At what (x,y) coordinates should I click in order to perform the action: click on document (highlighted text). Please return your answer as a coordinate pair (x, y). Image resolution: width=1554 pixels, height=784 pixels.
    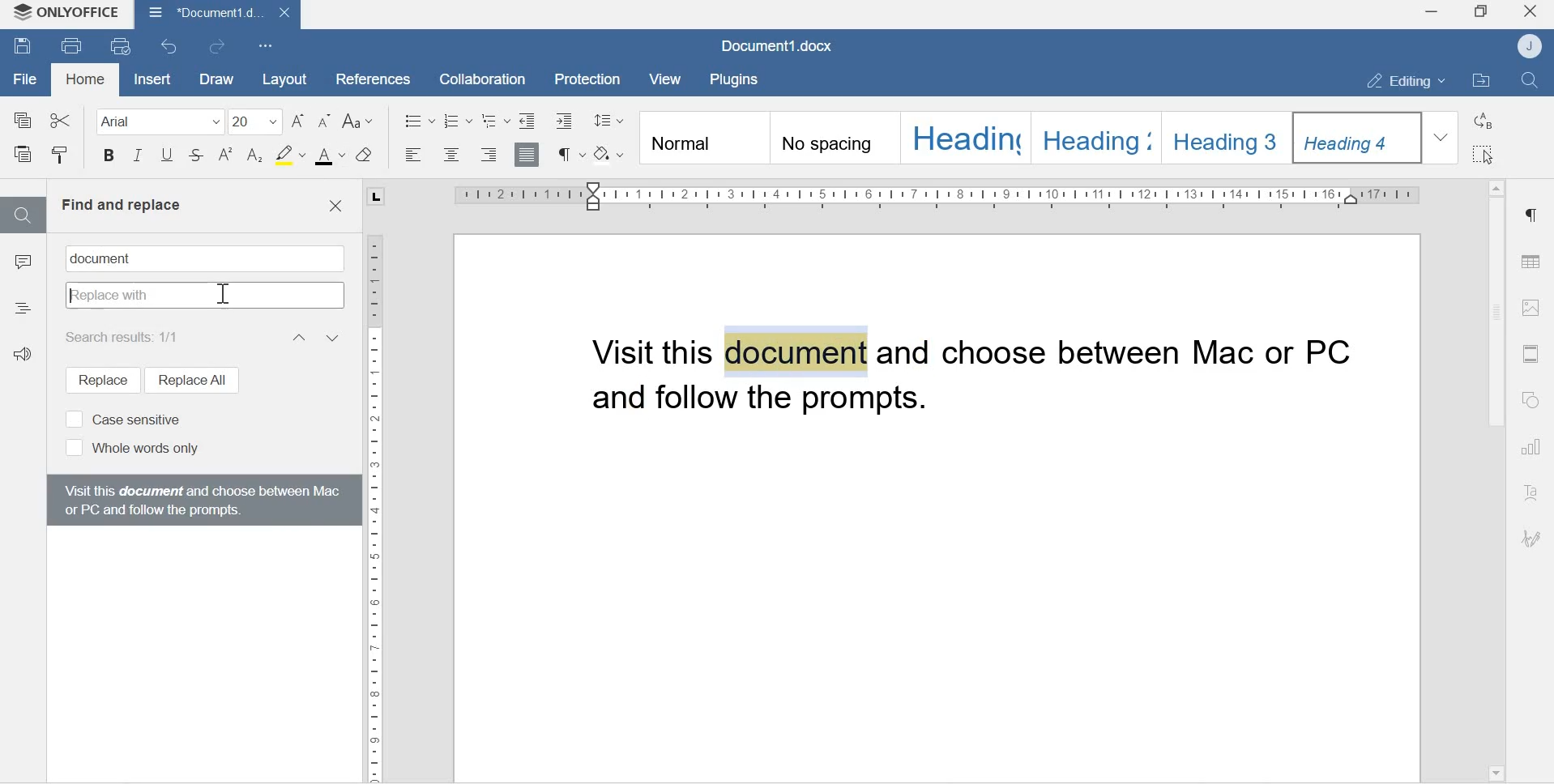
    Looking at the image, I should click on (796, 351).